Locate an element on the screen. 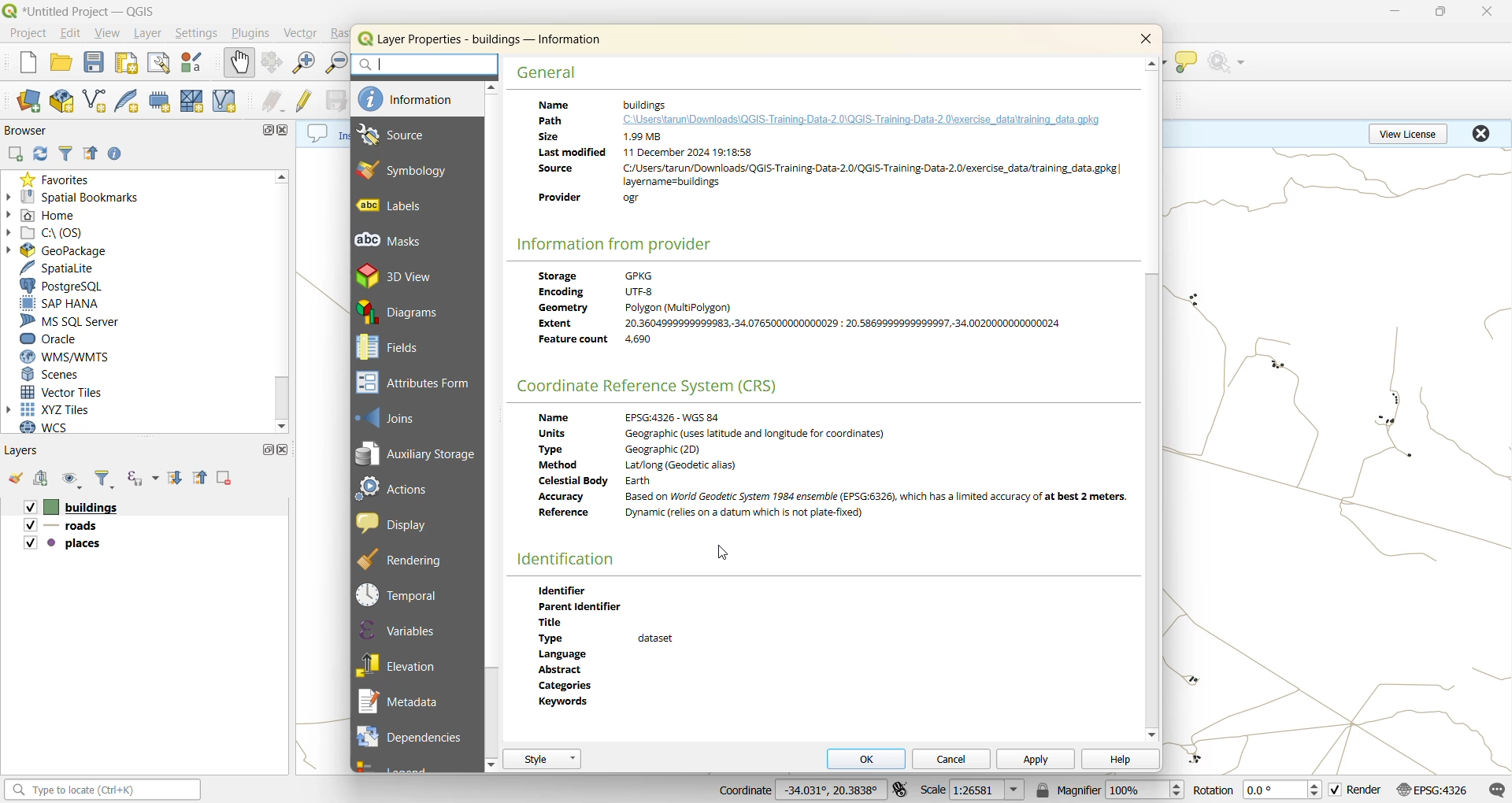  style manager is located at coordinates (193, 63).